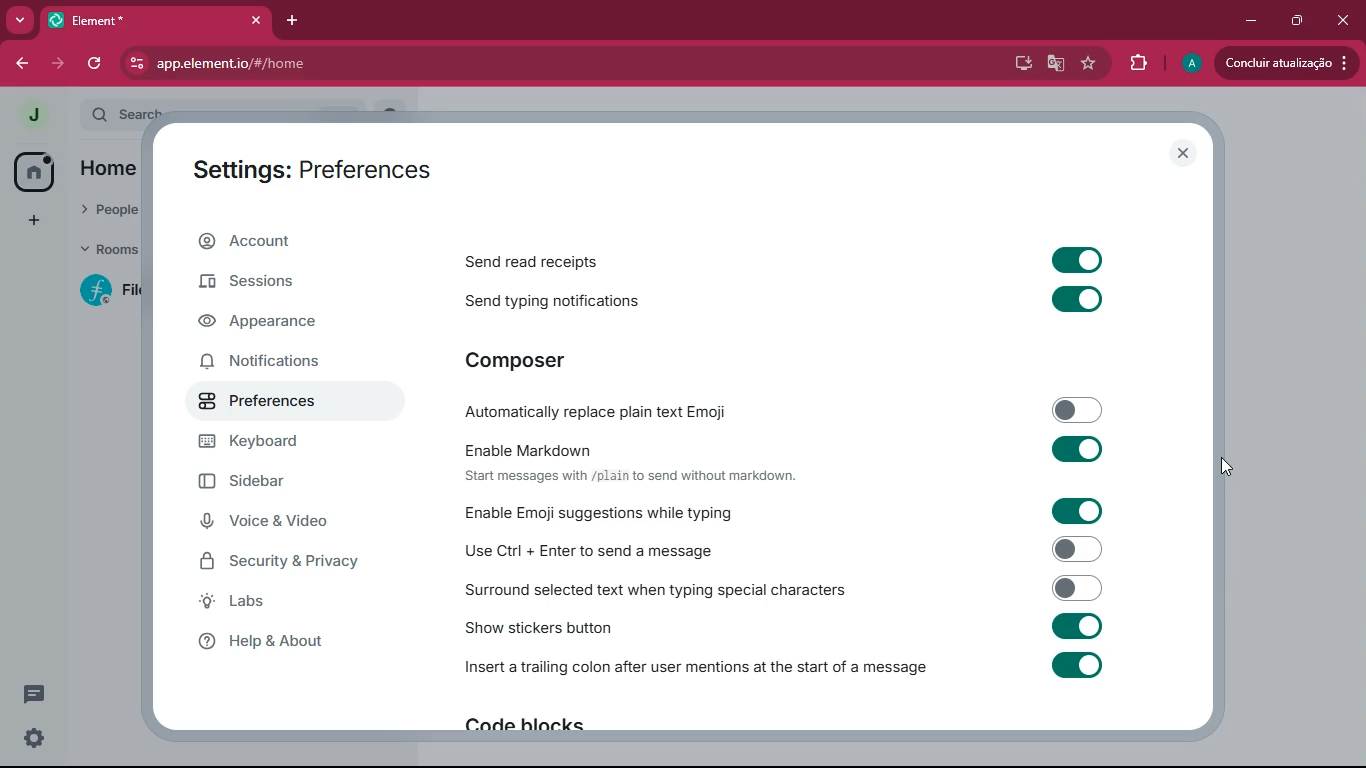  Describe the element at coordinates (779, 258) in the screenshot. I see `Send read receipts` at that location.